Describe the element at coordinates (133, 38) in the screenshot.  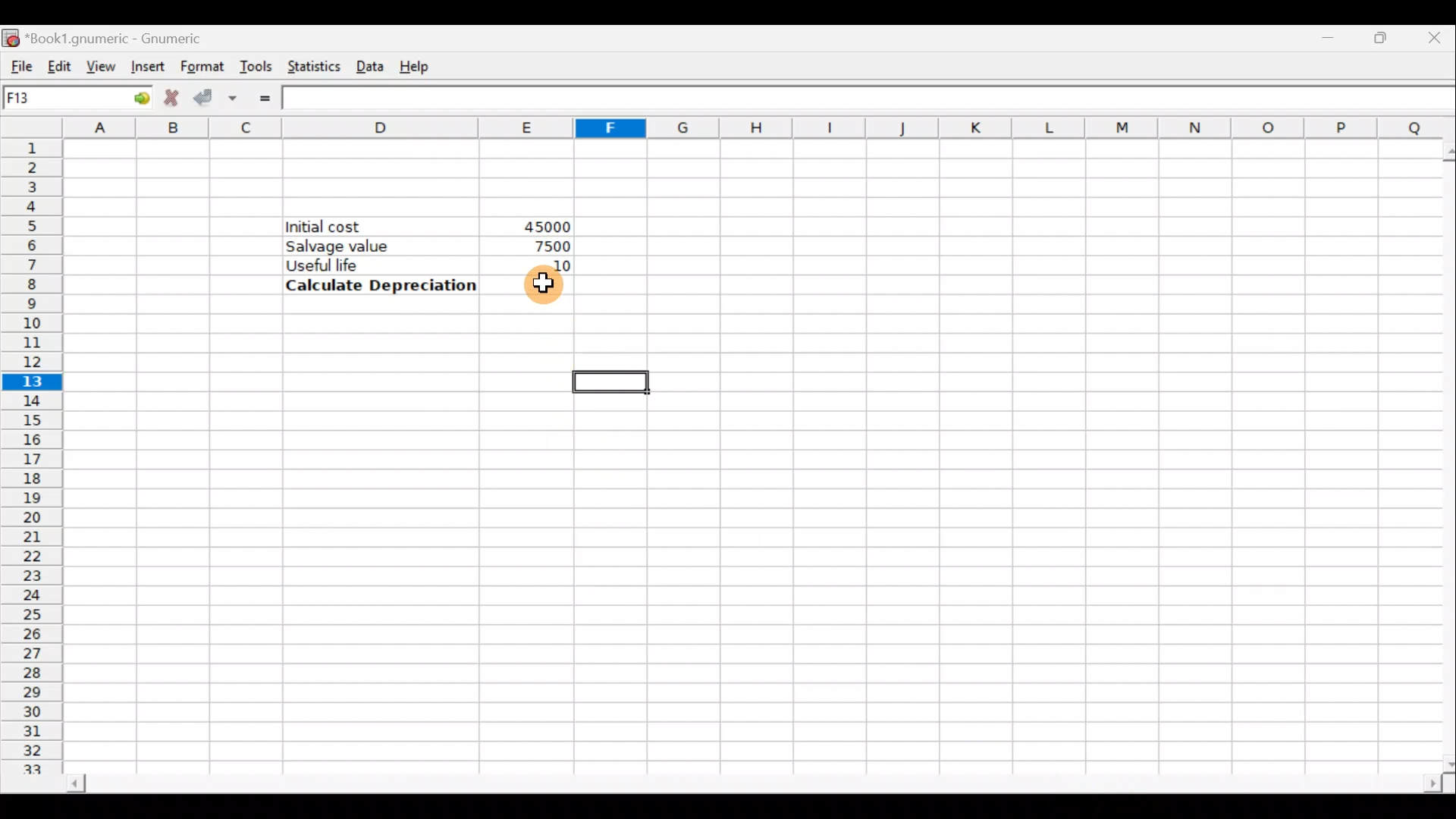
I see `*Book1.gnumeric - Gnumeric` at that location.